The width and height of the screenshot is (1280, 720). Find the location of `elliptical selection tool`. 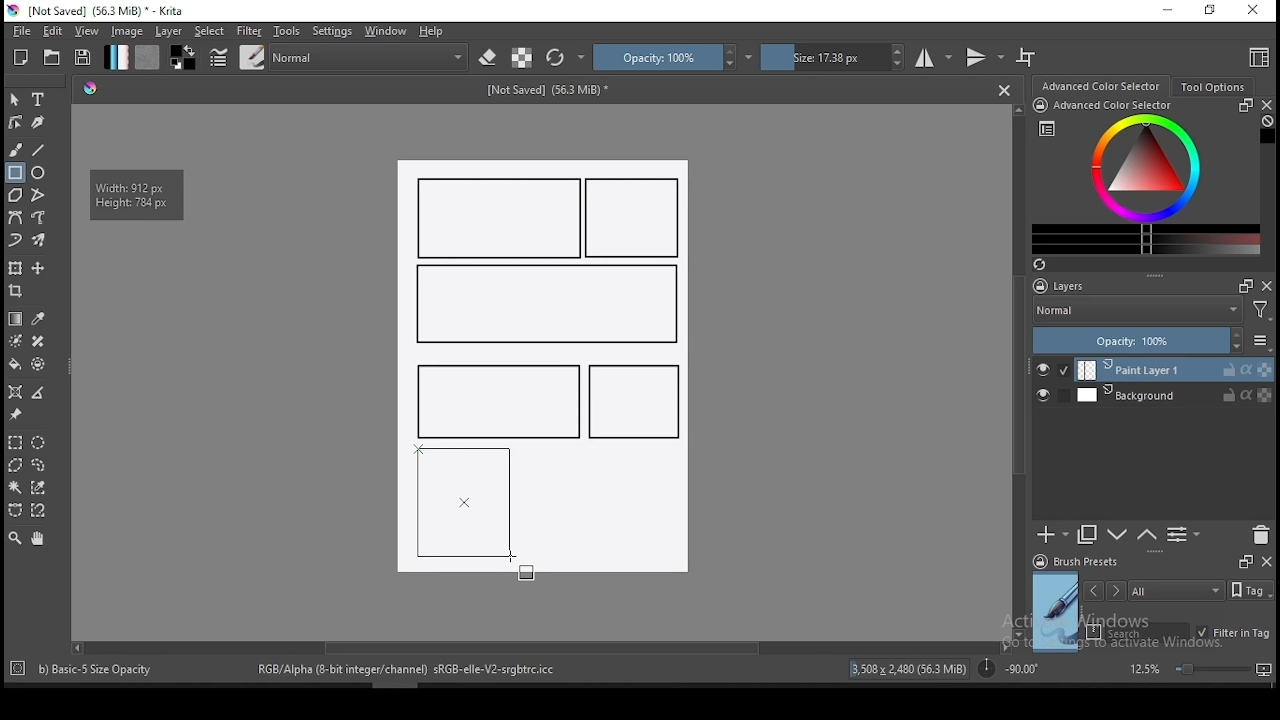

elliptical selection tool is located at coordinates (38, 443).